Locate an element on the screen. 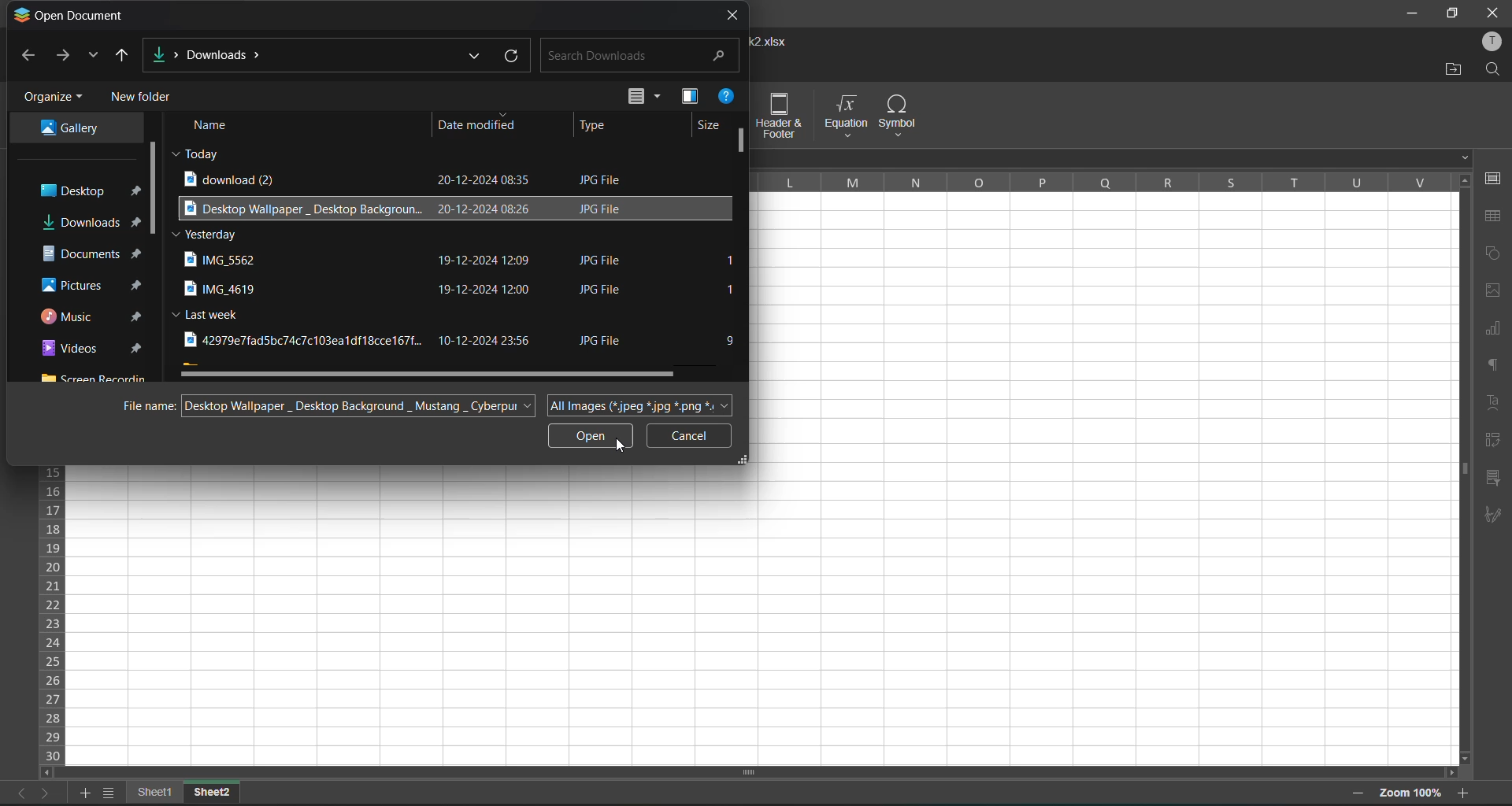 The height and width of the screenshot is (806, 1512). change view is located at coordinates (644, 98).